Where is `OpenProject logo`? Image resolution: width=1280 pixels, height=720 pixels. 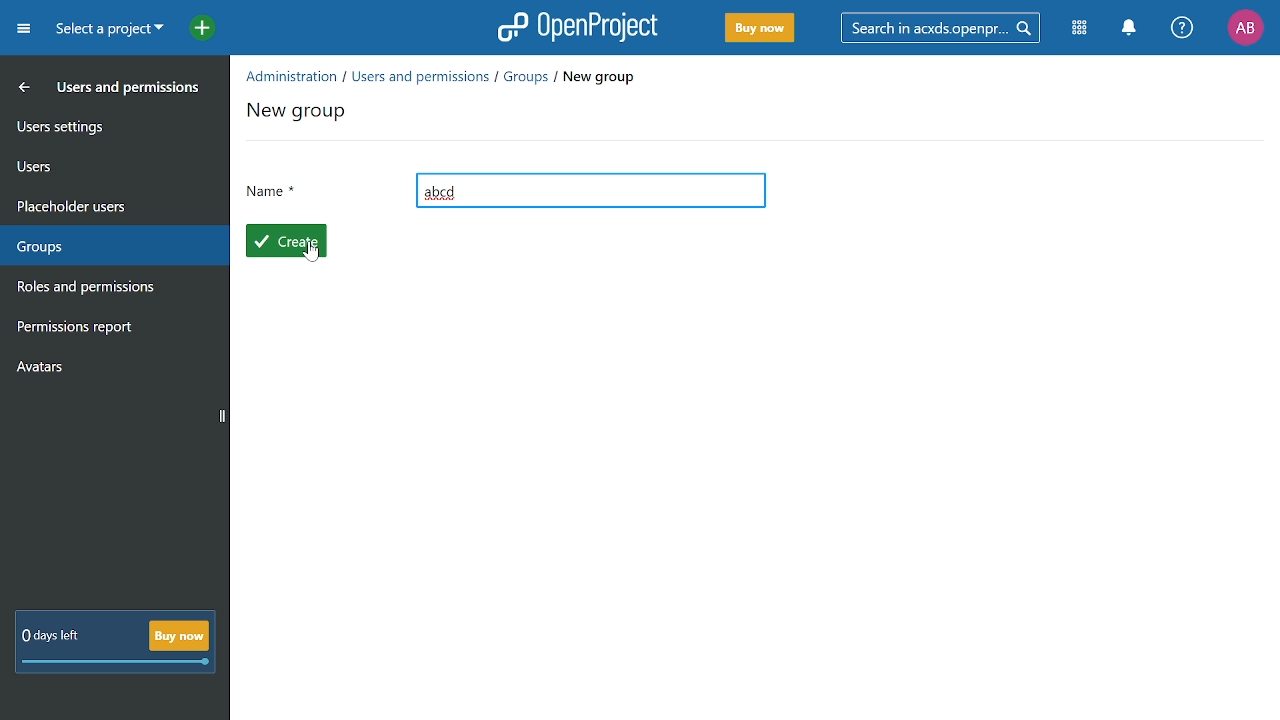
OpenProject logo is located at coordinates (579, 26).